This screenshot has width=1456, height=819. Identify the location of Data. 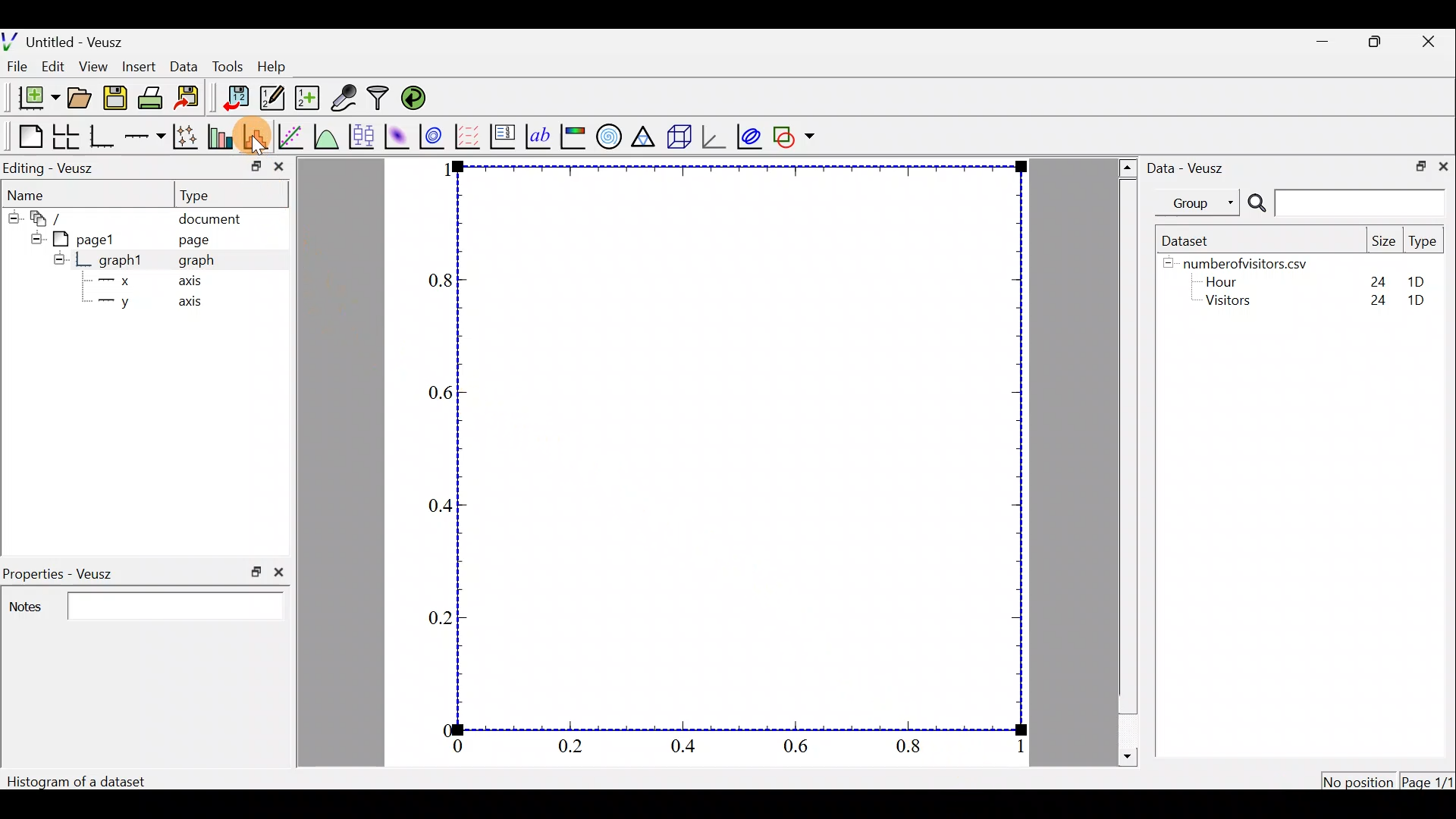
(183, 65).